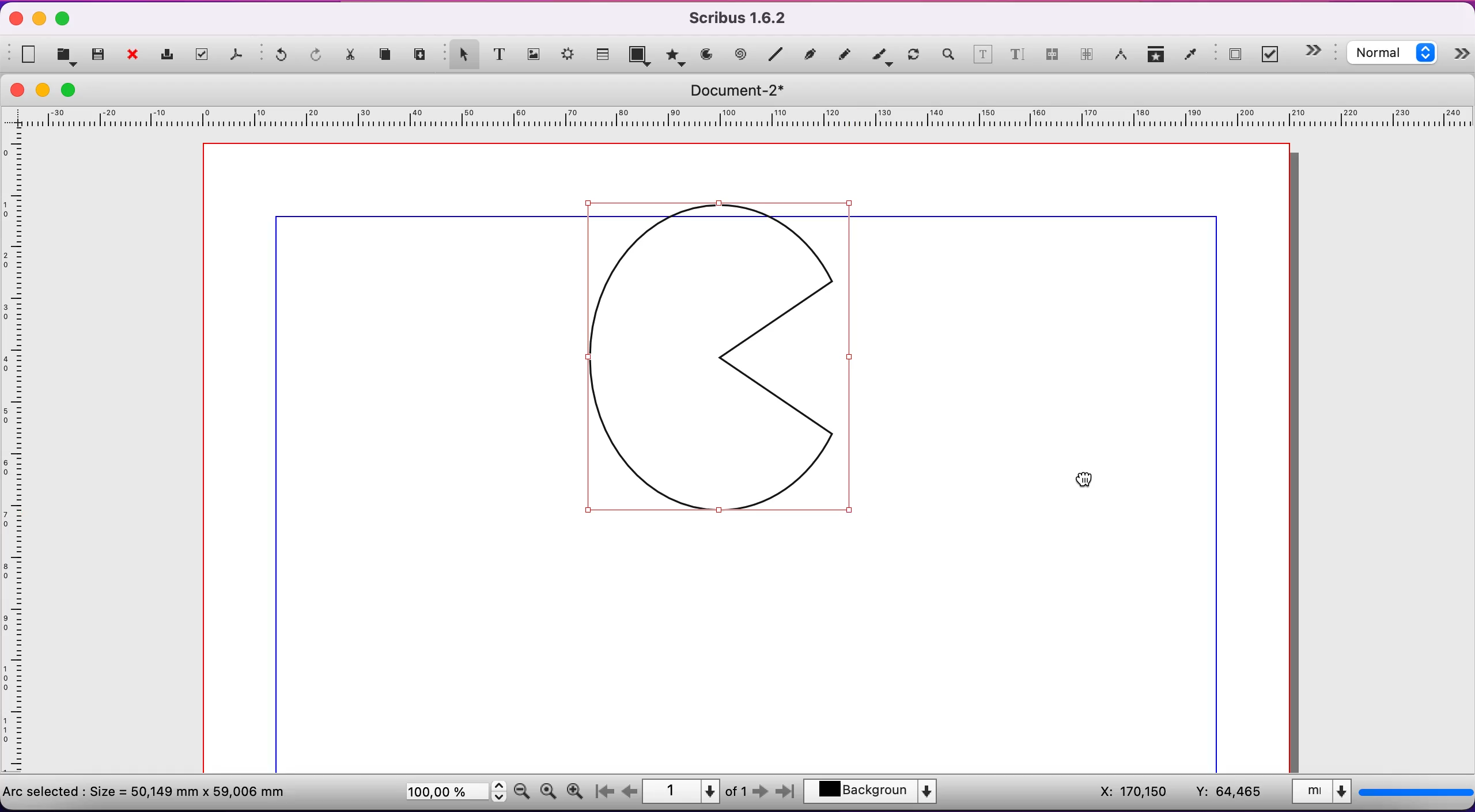  What do you see at coordinates (706, 55) in the screenshot?
I see `arc` at bounding box center [706, 55].